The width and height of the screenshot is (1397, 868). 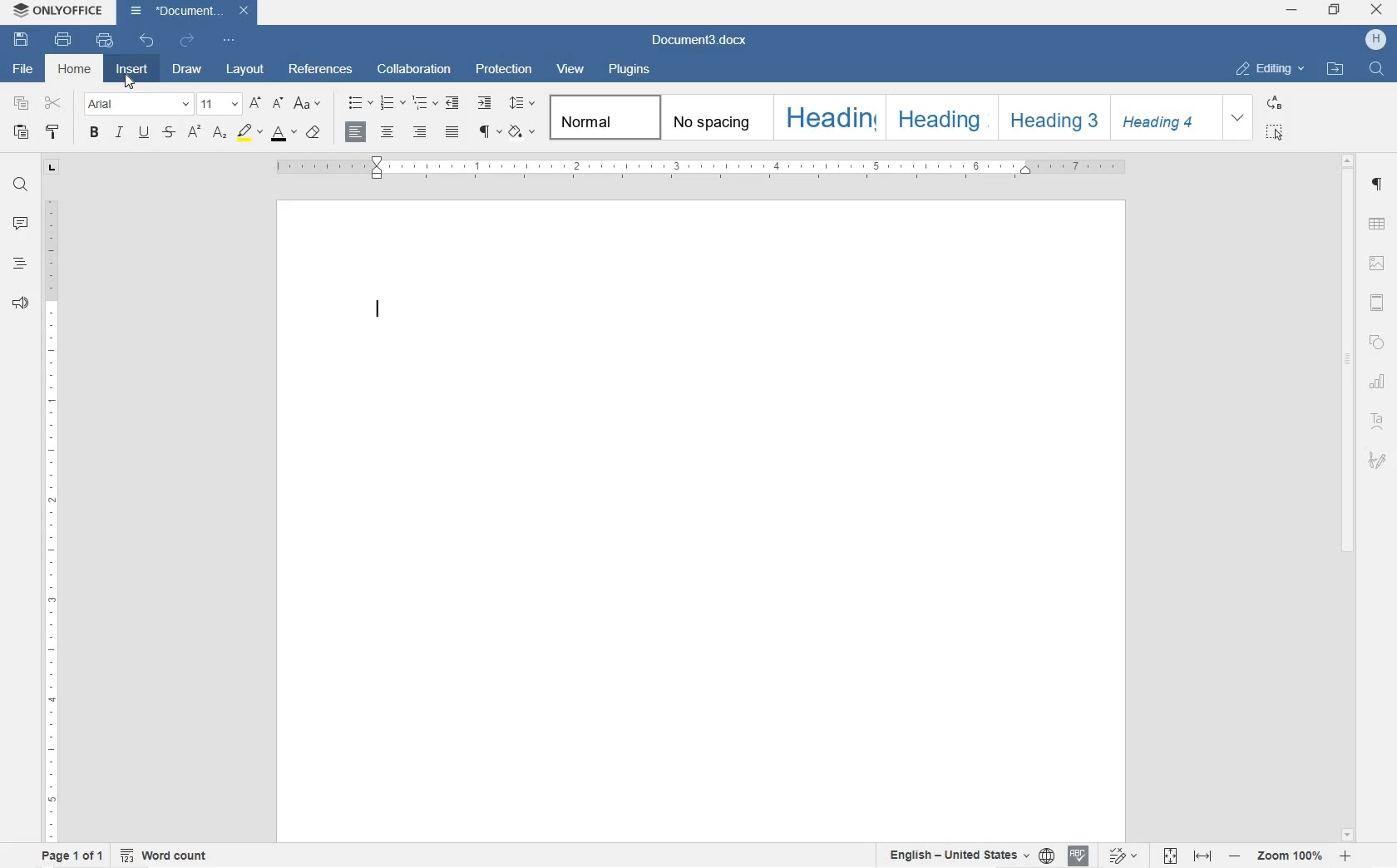 What do you see at coordinates (52, 167) in the screenshot?
I see `TAB` at bounding box center [52, 167].